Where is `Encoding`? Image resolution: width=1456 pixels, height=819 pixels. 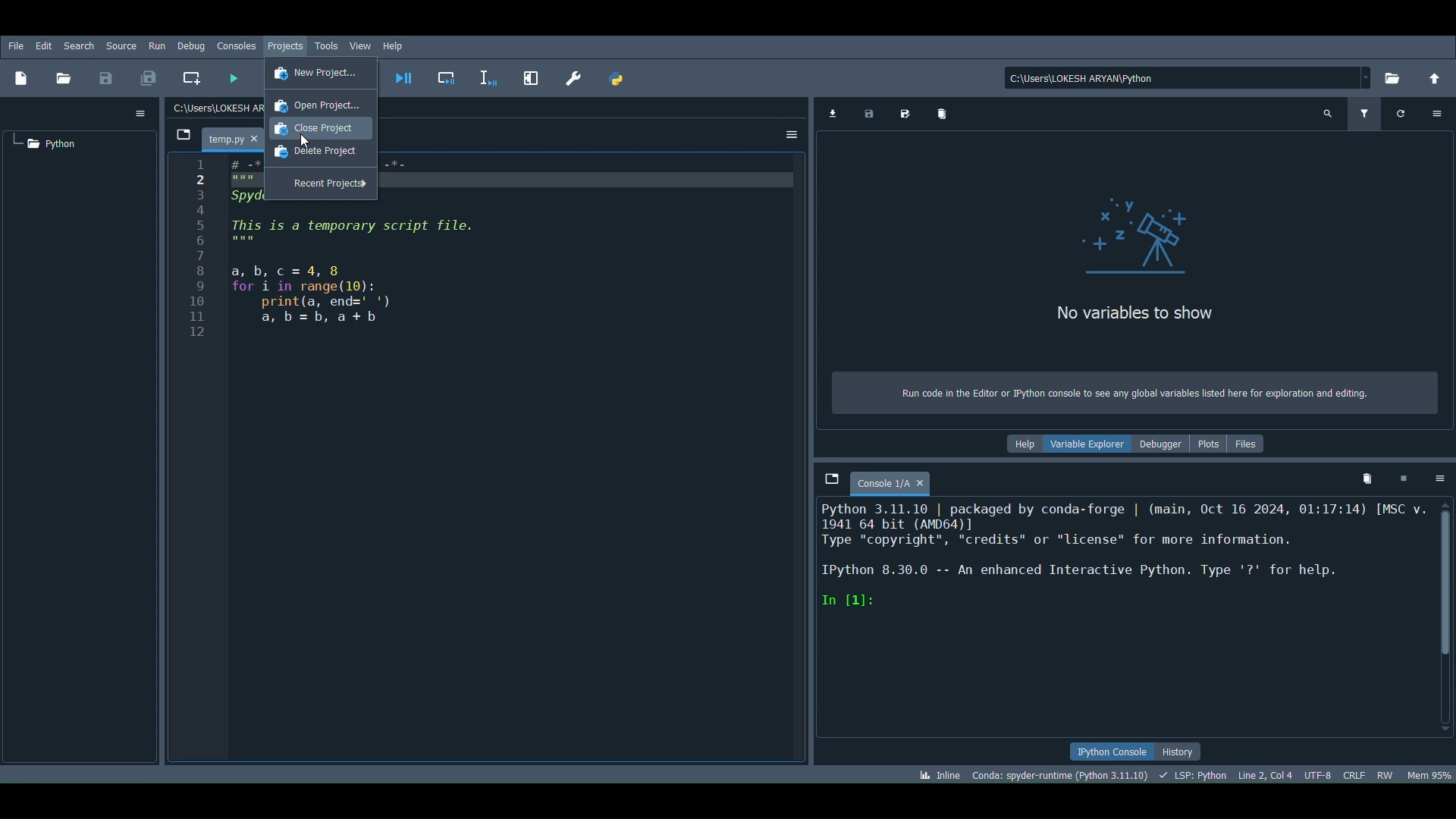
Encoding is located at coordinates (1318, 770).